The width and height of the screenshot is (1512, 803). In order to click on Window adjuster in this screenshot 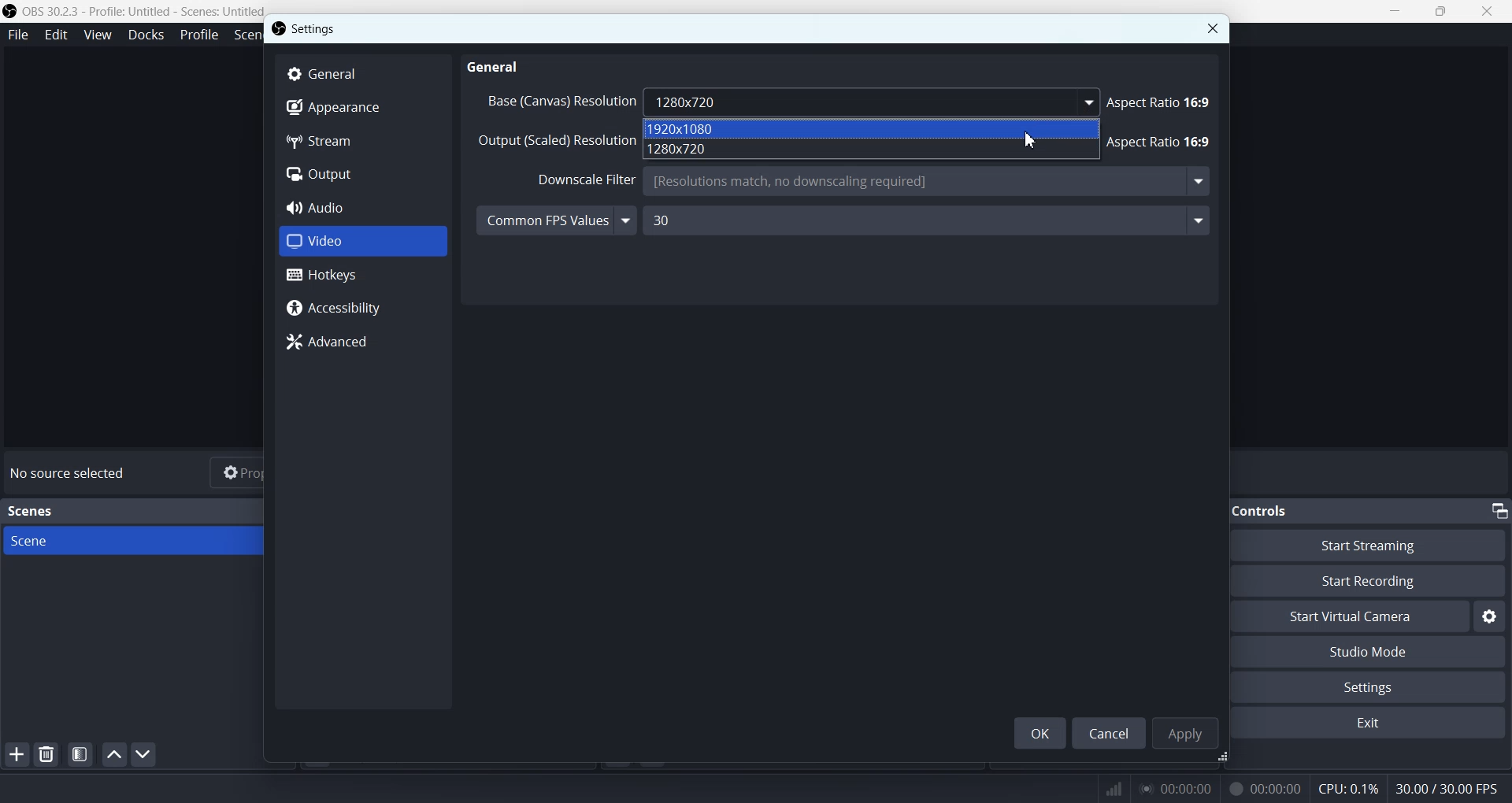, I will do `click(1225, 759)`.